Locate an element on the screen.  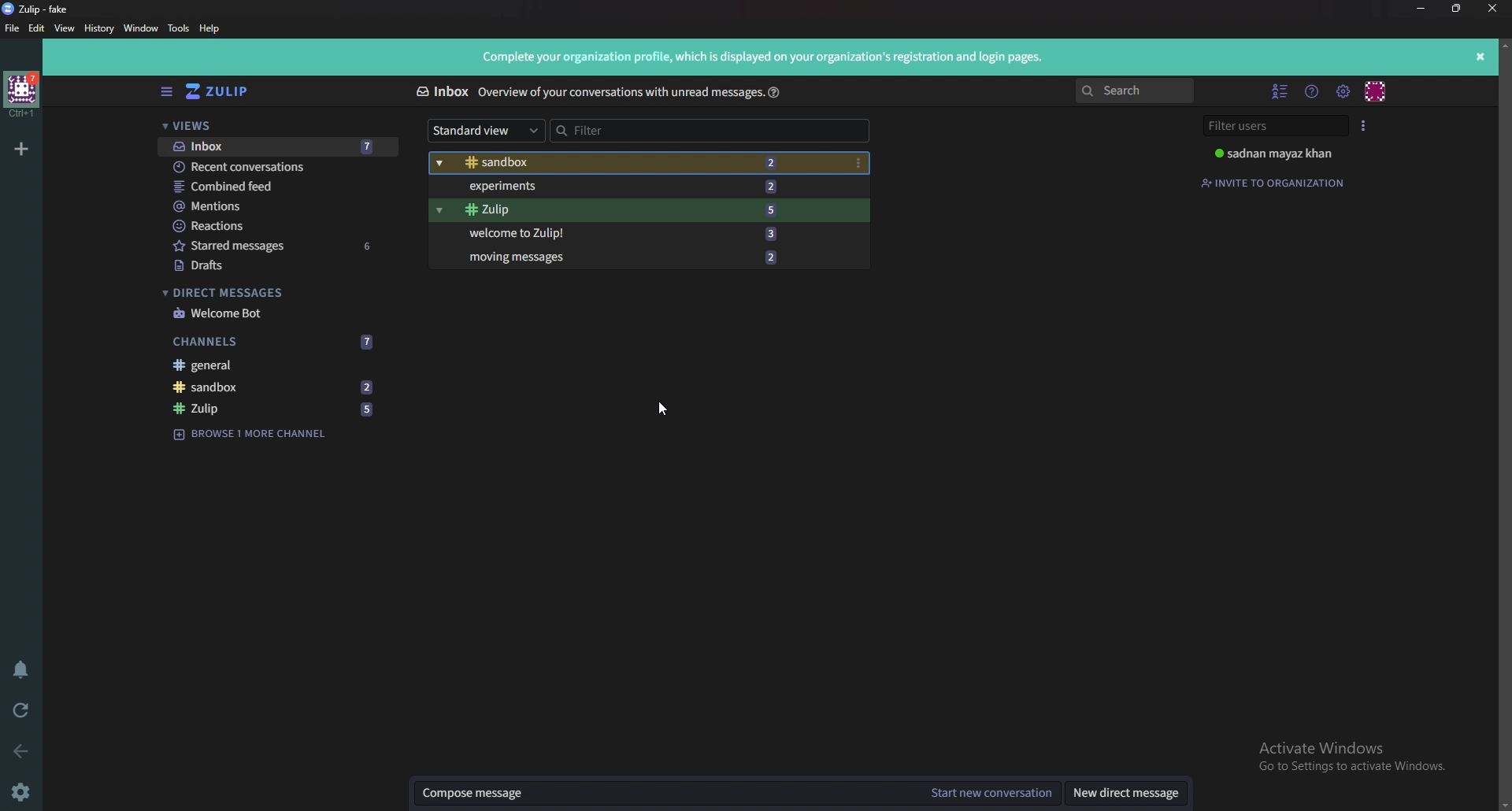
Filter users is located at coordinates (1272, 125).